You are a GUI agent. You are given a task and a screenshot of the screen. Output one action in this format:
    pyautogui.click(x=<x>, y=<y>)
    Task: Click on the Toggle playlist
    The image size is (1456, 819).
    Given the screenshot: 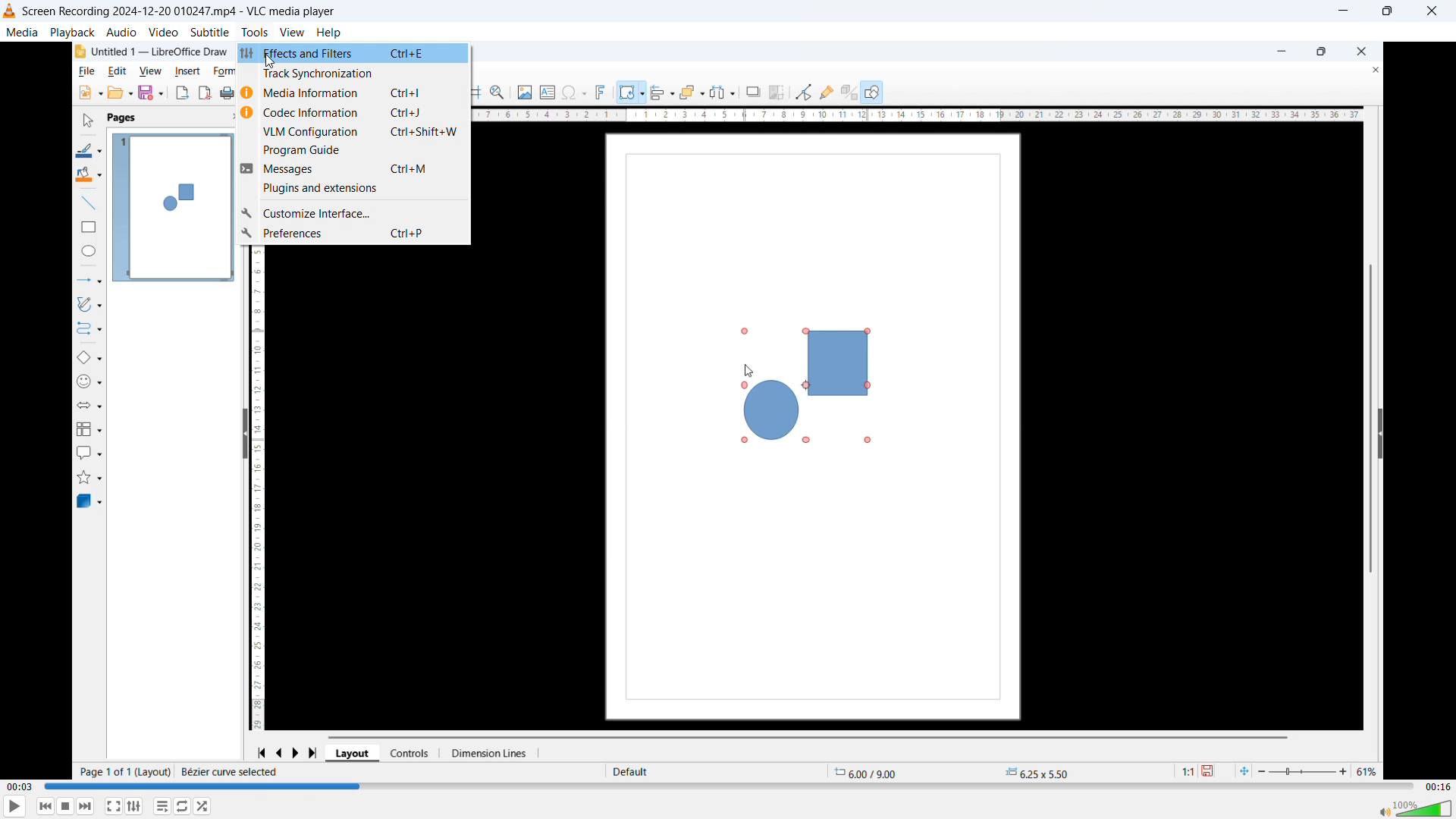 What is the action you would take?
    pyautogui.click(x=162, y=806)
    